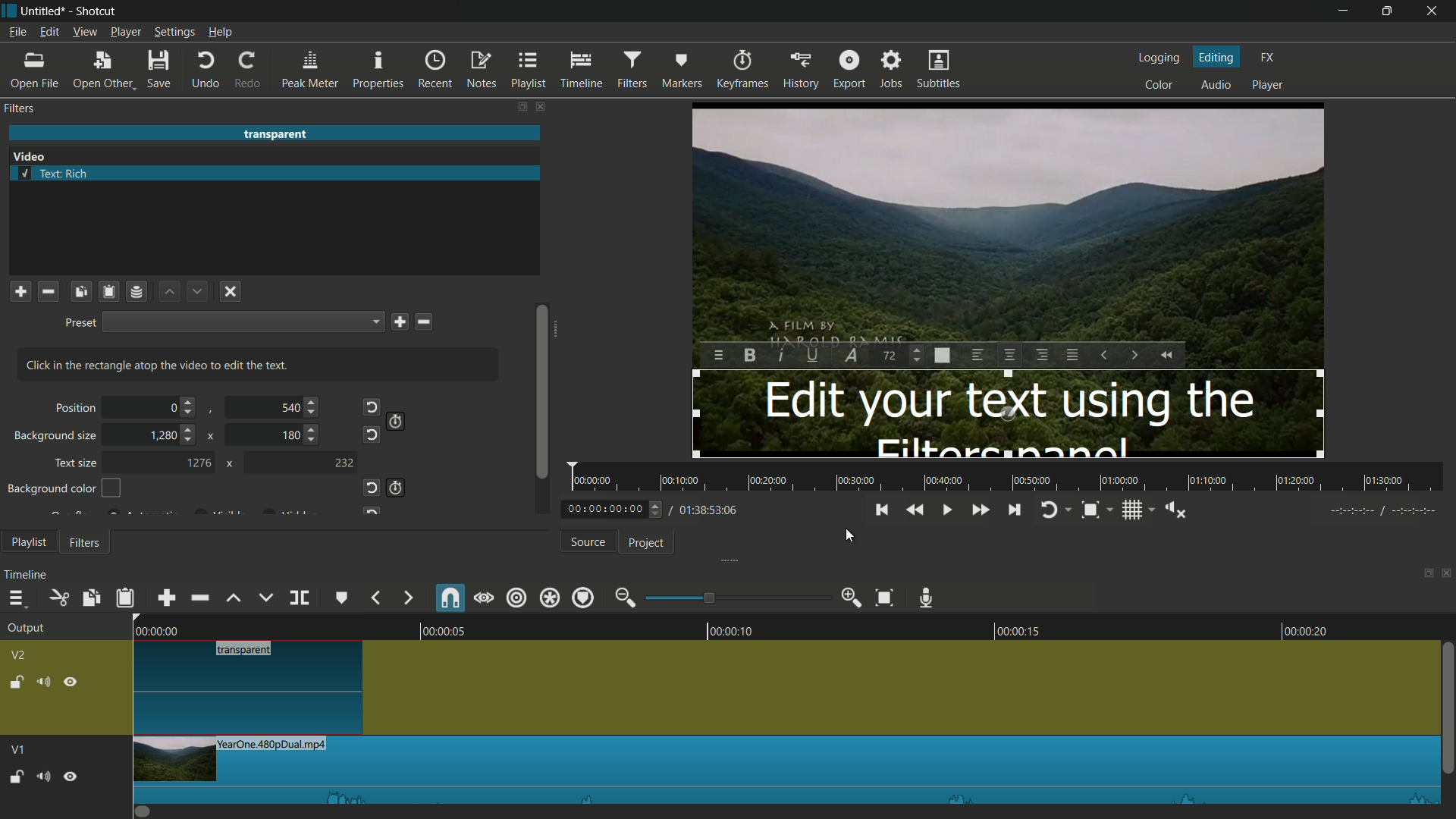  What do you see at coordinates (162, 435) in the screenshot?
I see `1280` at bounding box center [162, 435].